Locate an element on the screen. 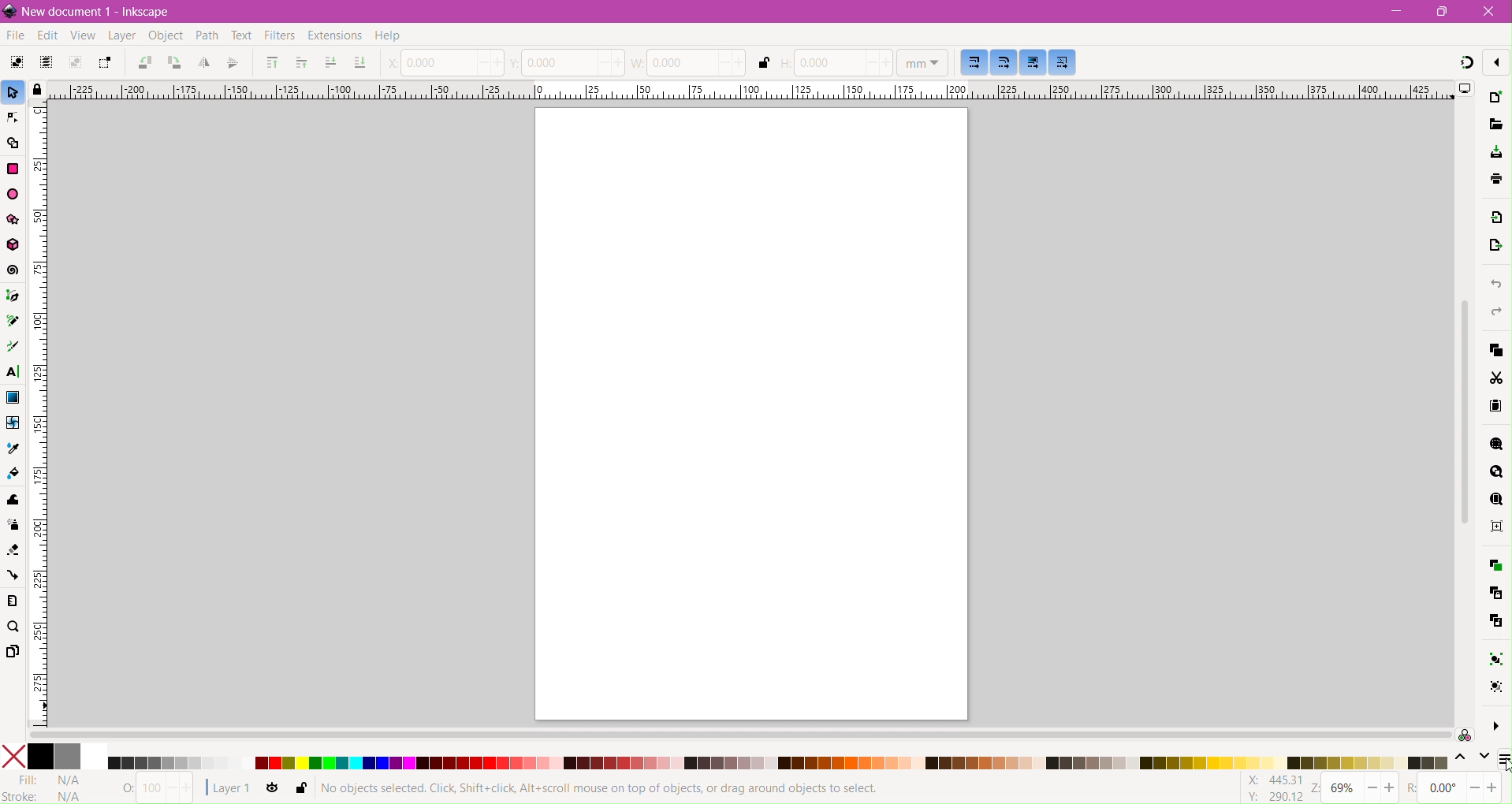 The width and height of the screenshot is (1512, 804). Configure Color Palette is located at coordinates (1503, 761).